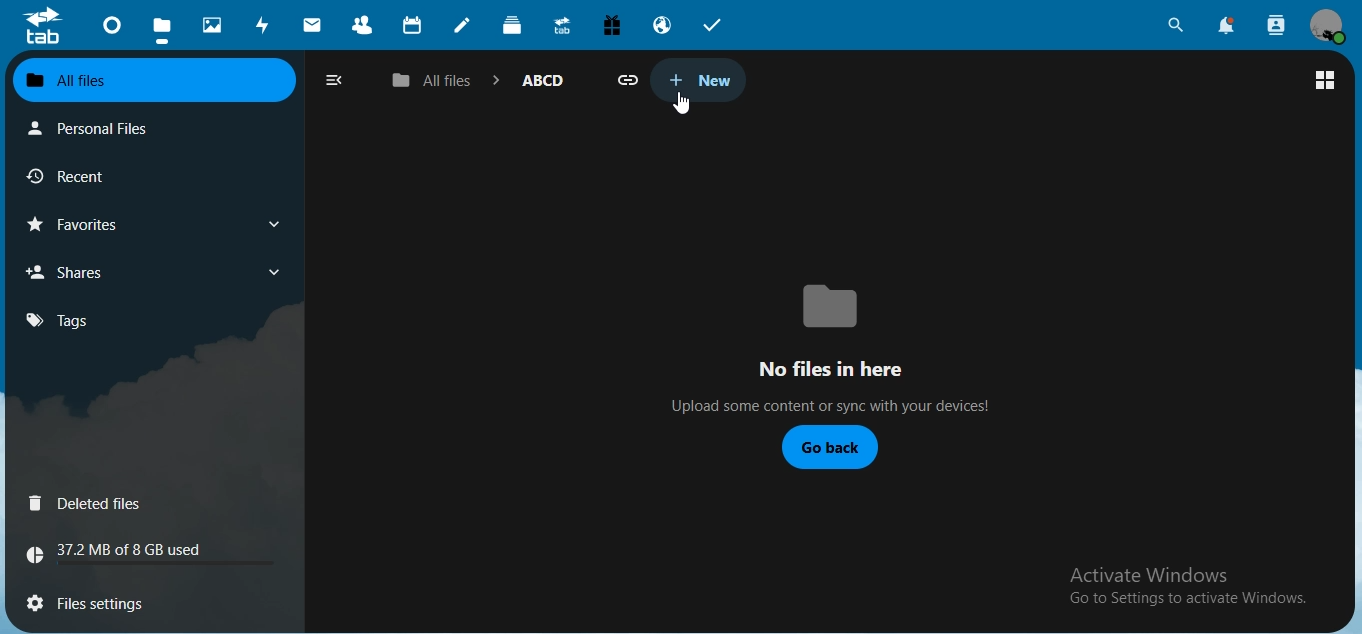 Image resolution: width=1362 pixels, height=634 pixels. What do you see at coordinates (75, 271) in the screenshot?
I see `shares` at bounding box center [75, 271].